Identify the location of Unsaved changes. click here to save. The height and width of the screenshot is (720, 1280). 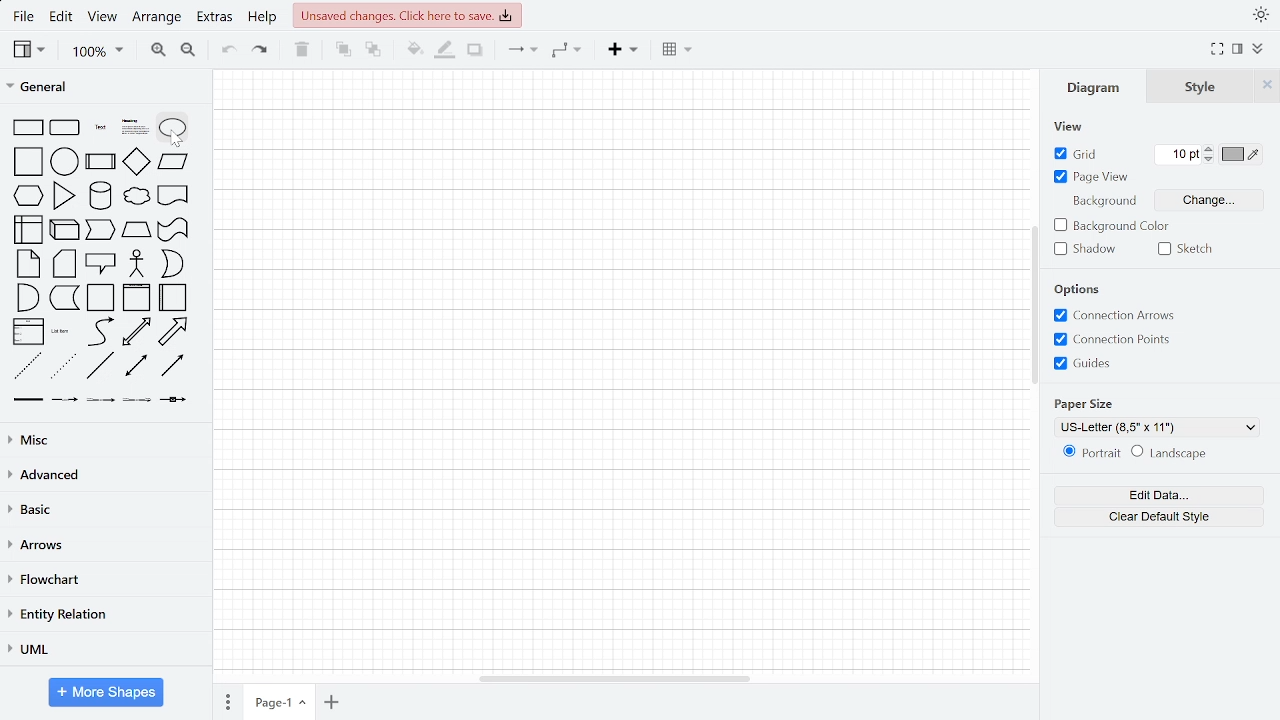
(406, 15).